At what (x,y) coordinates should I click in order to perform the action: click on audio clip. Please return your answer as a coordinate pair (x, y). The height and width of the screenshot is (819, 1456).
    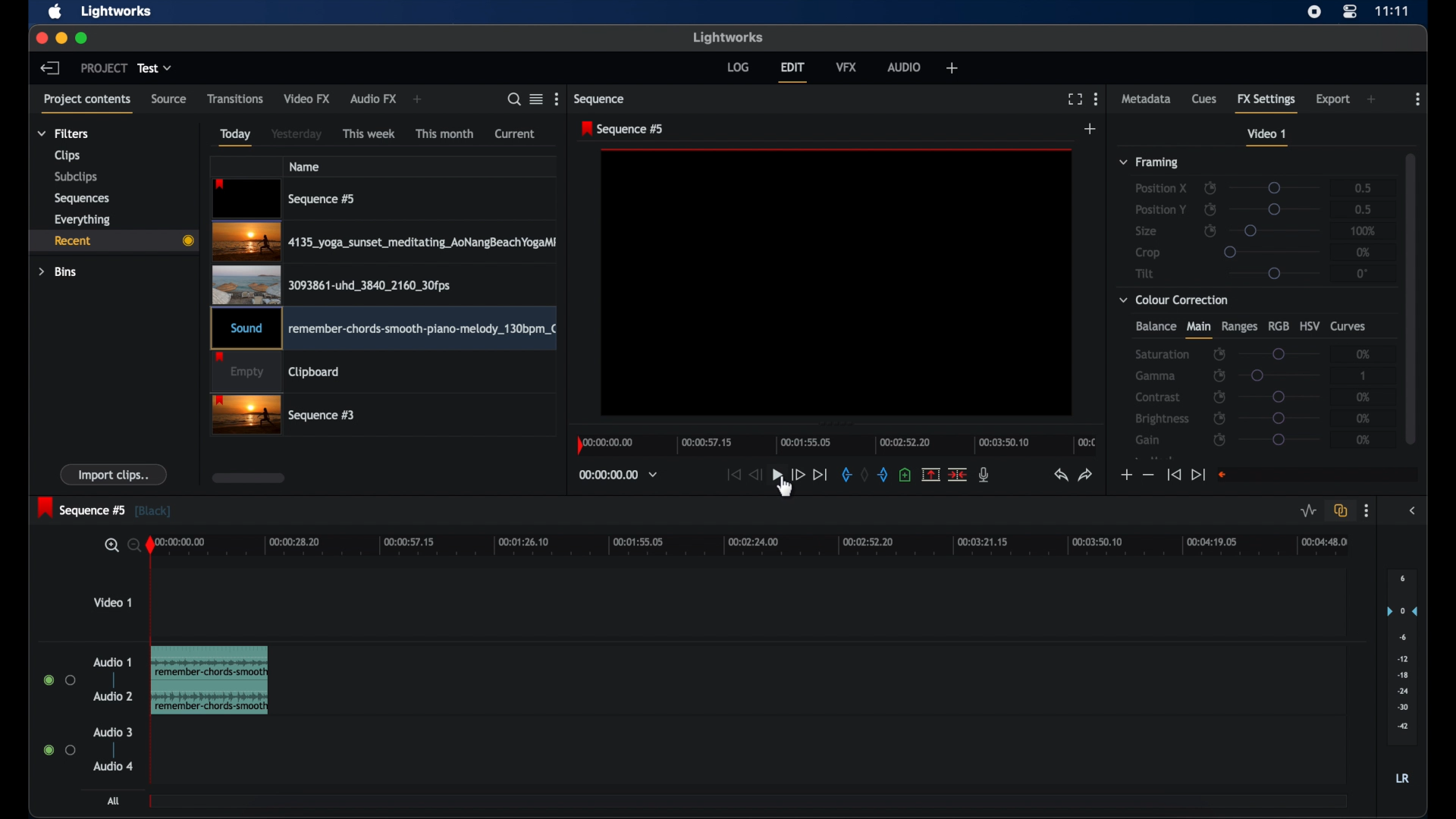
    Looking at the image, I should click on (383, 330).